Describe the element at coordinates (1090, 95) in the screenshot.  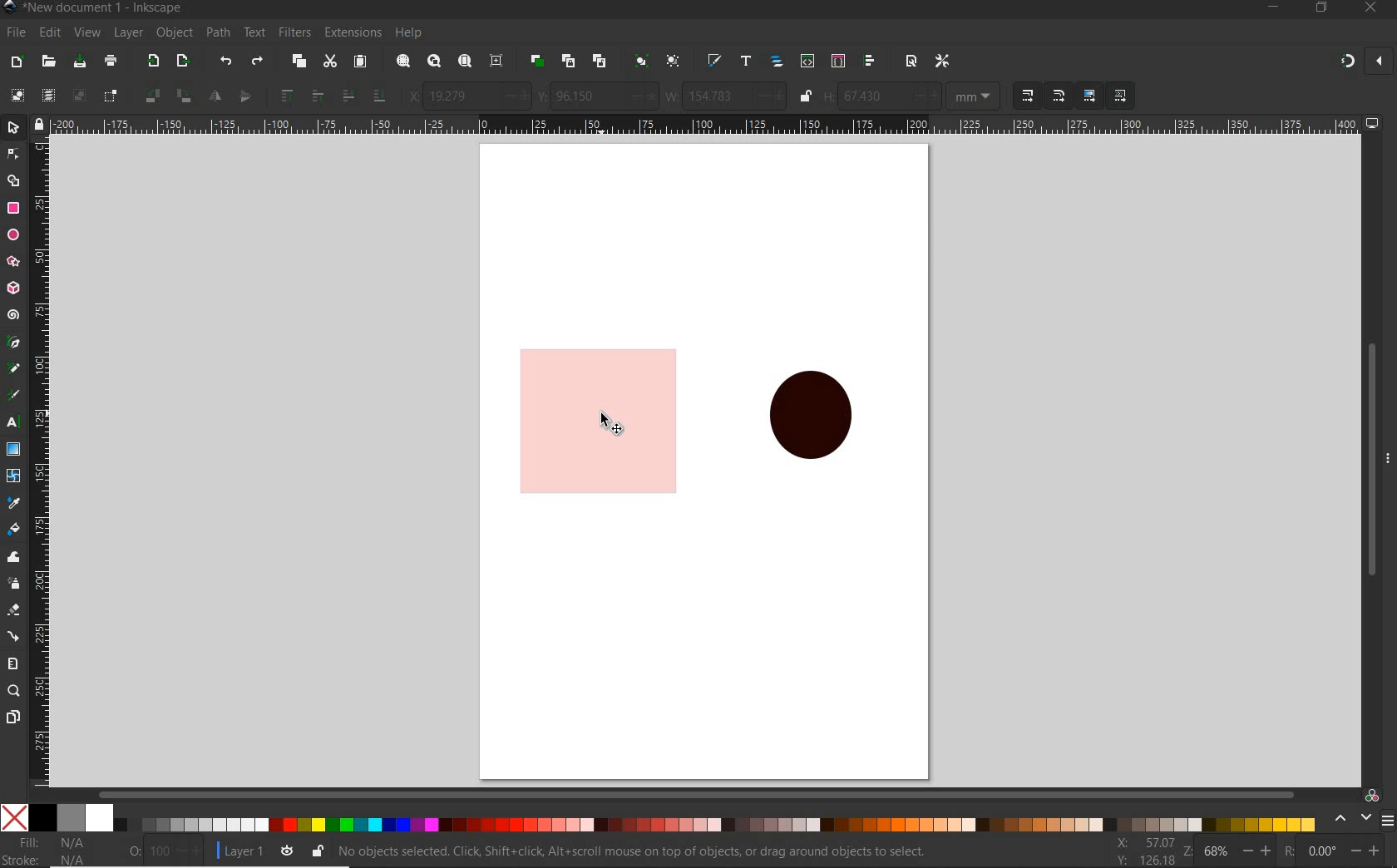
I see `move gradient` at that location.